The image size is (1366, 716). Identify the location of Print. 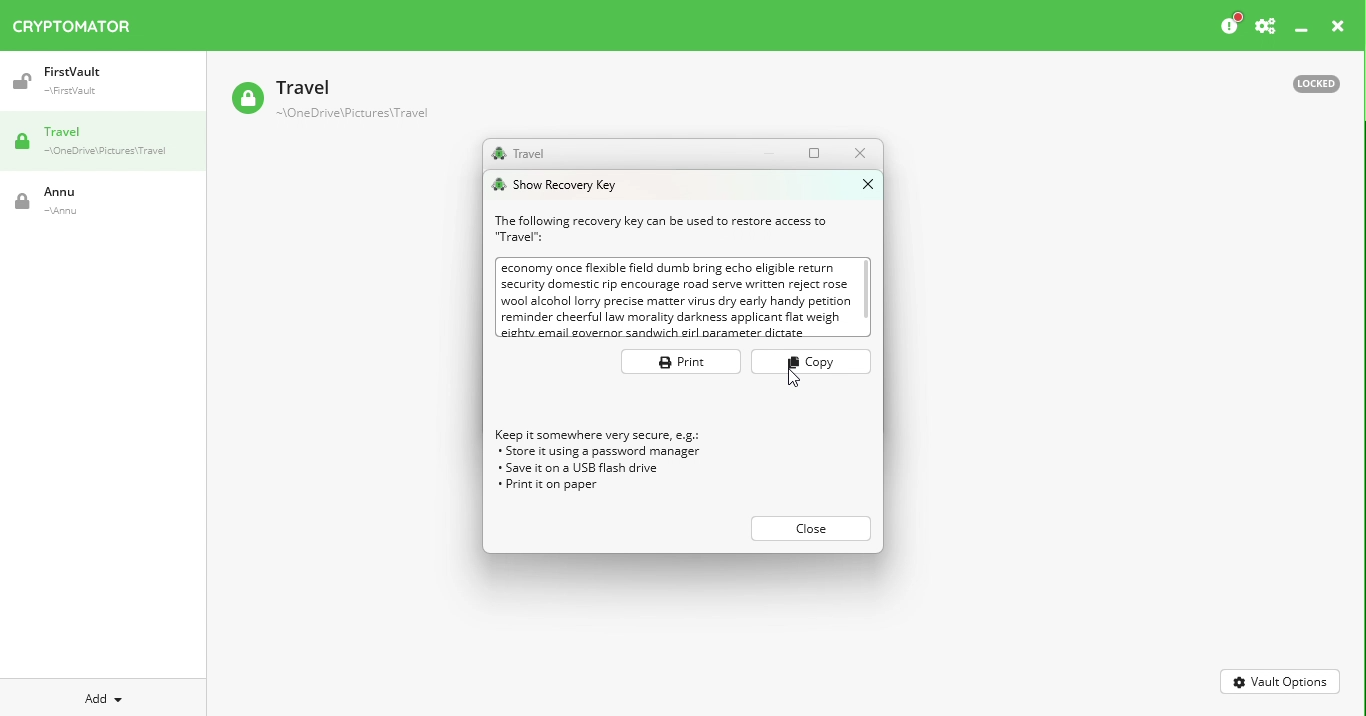
(679, 363).